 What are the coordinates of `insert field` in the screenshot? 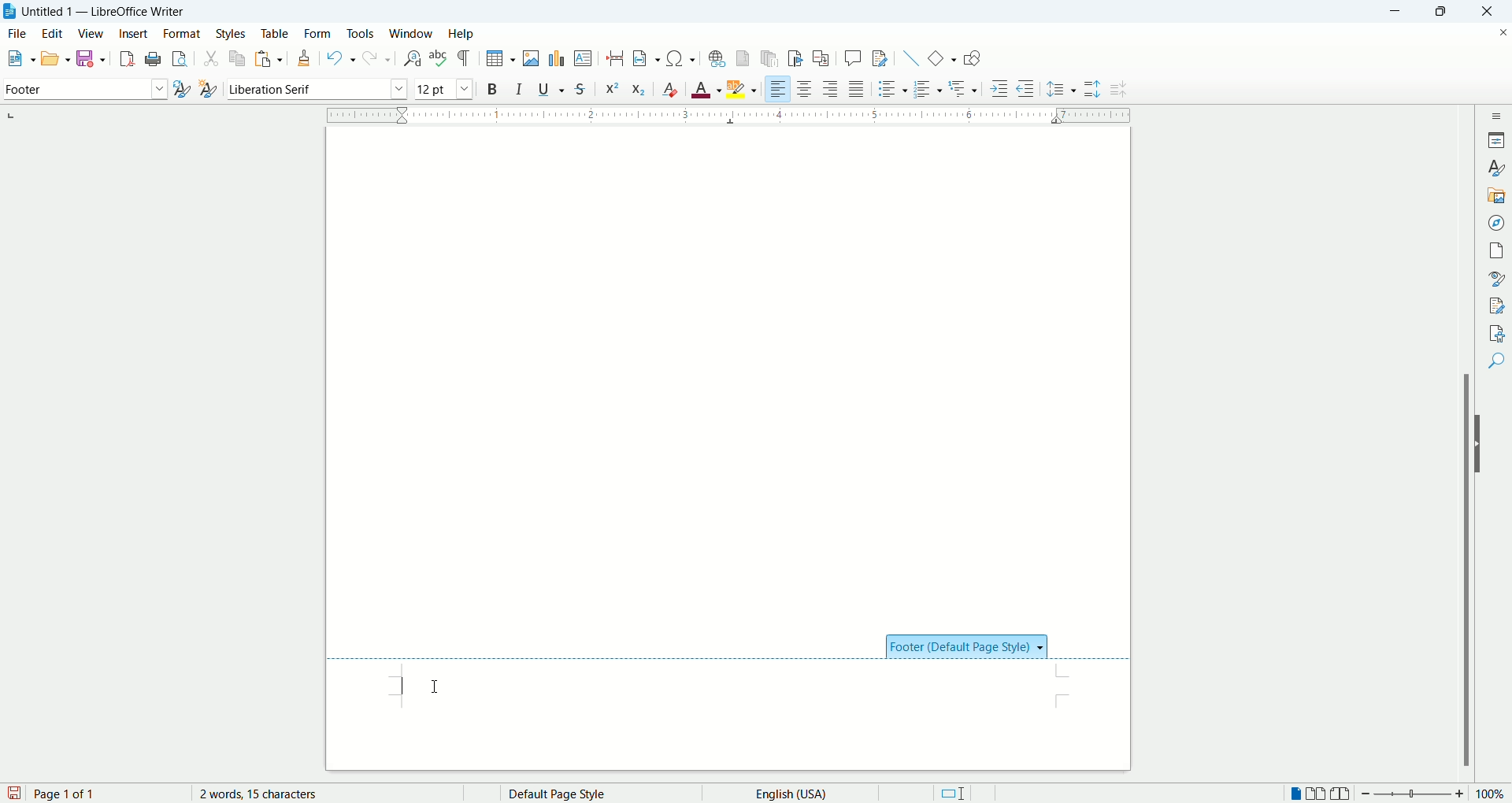 It's located at (646, 59).